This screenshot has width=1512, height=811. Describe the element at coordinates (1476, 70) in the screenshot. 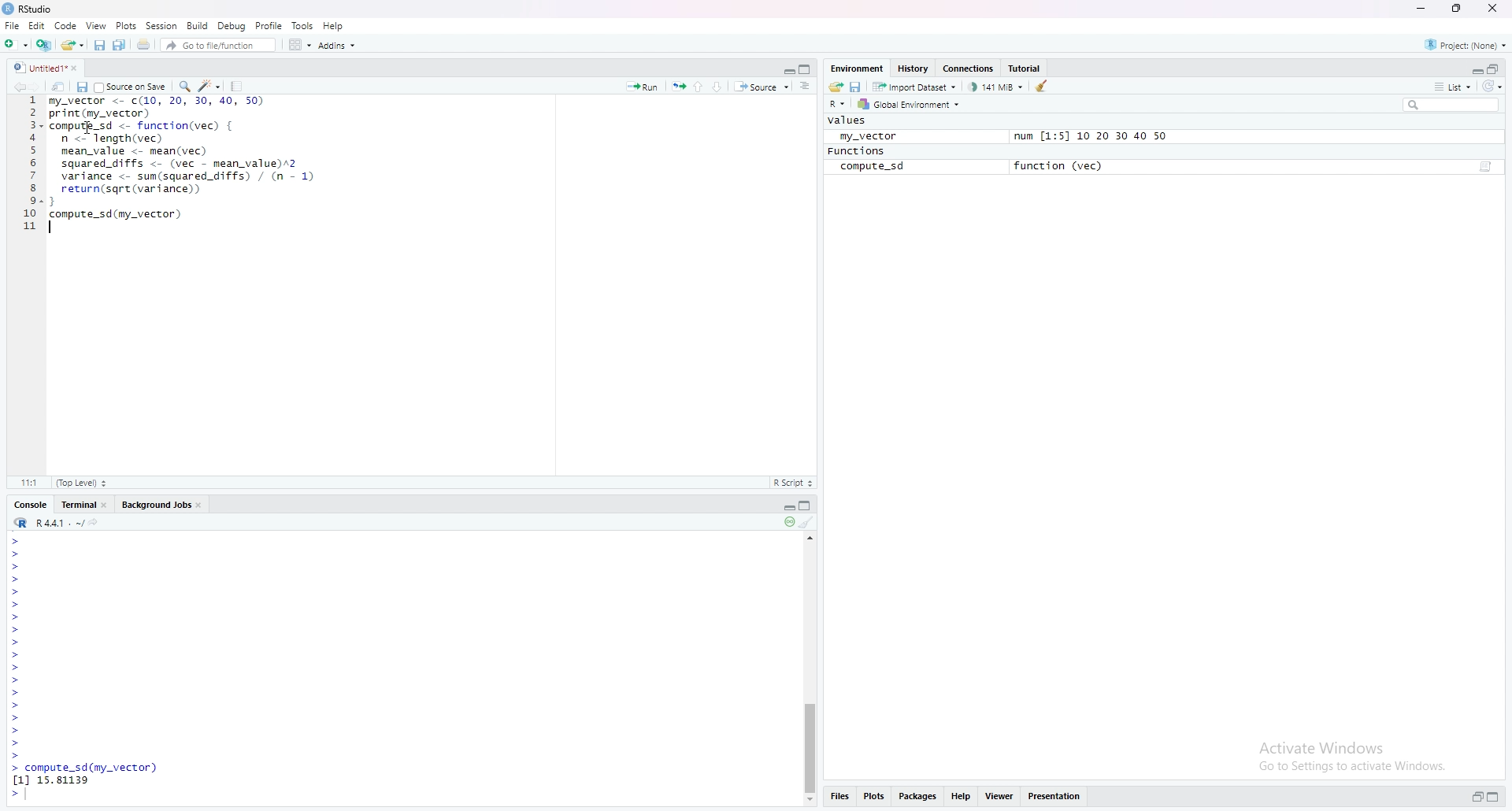

I see `Minimize` at that location.